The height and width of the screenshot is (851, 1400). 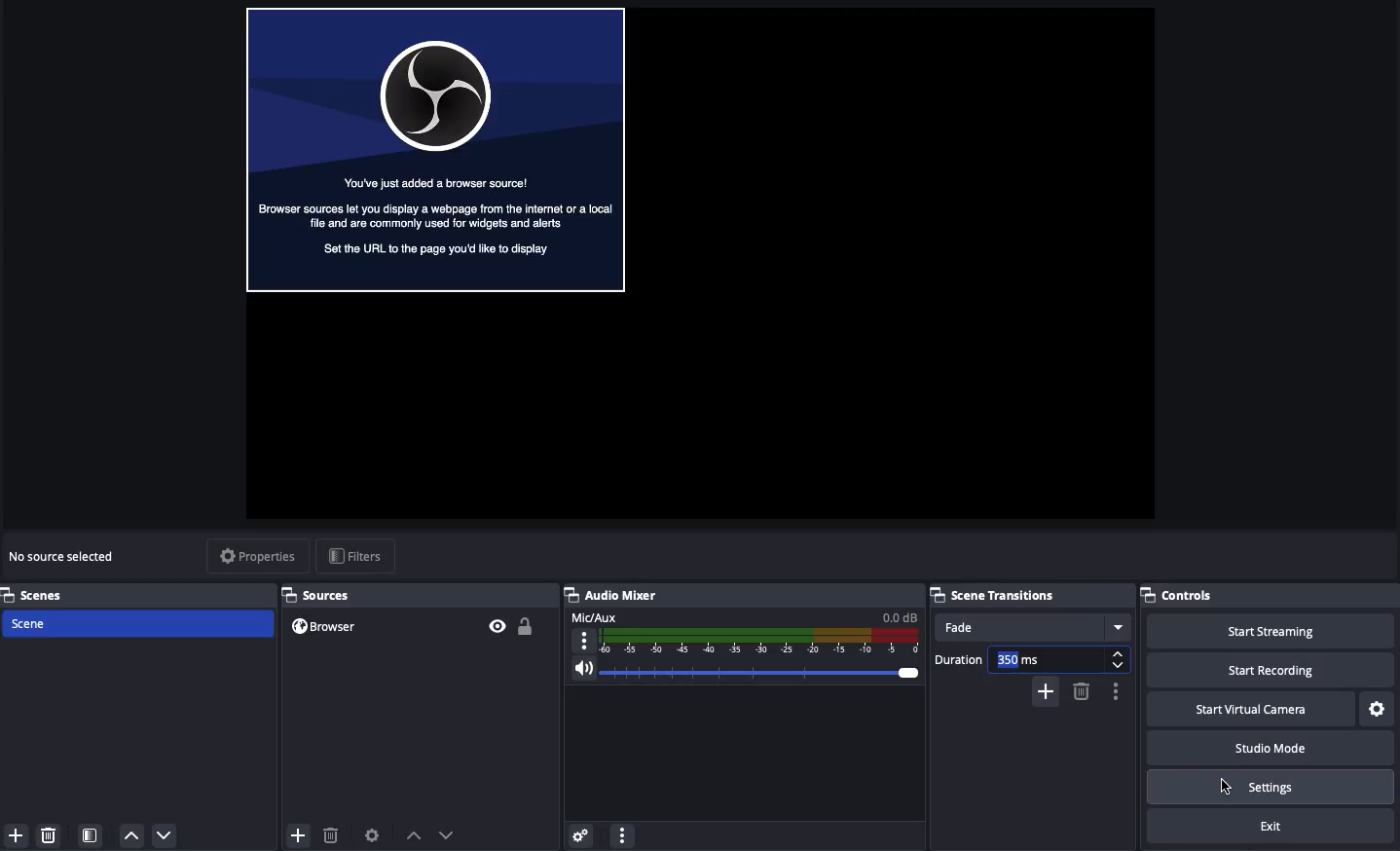 What do you see at coordinates (413, 835) in the screenshot?
I see `Move up` at bounding box center [413, 835].